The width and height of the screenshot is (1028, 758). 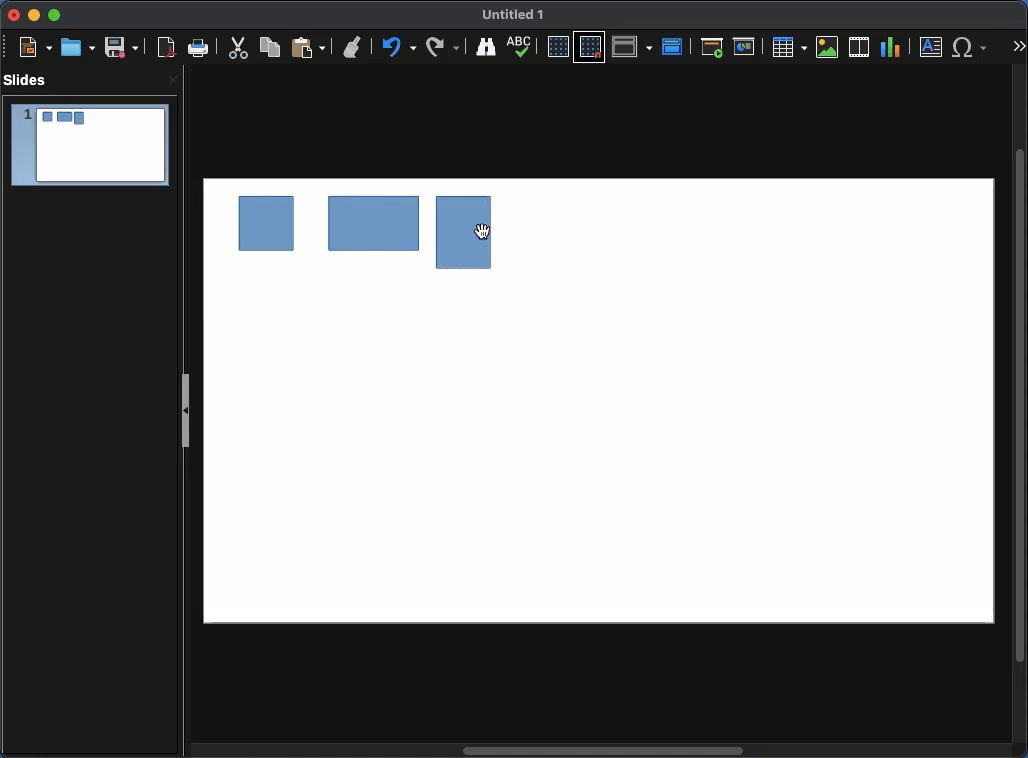 I want to click on Redo, so click(x=396, y=47).